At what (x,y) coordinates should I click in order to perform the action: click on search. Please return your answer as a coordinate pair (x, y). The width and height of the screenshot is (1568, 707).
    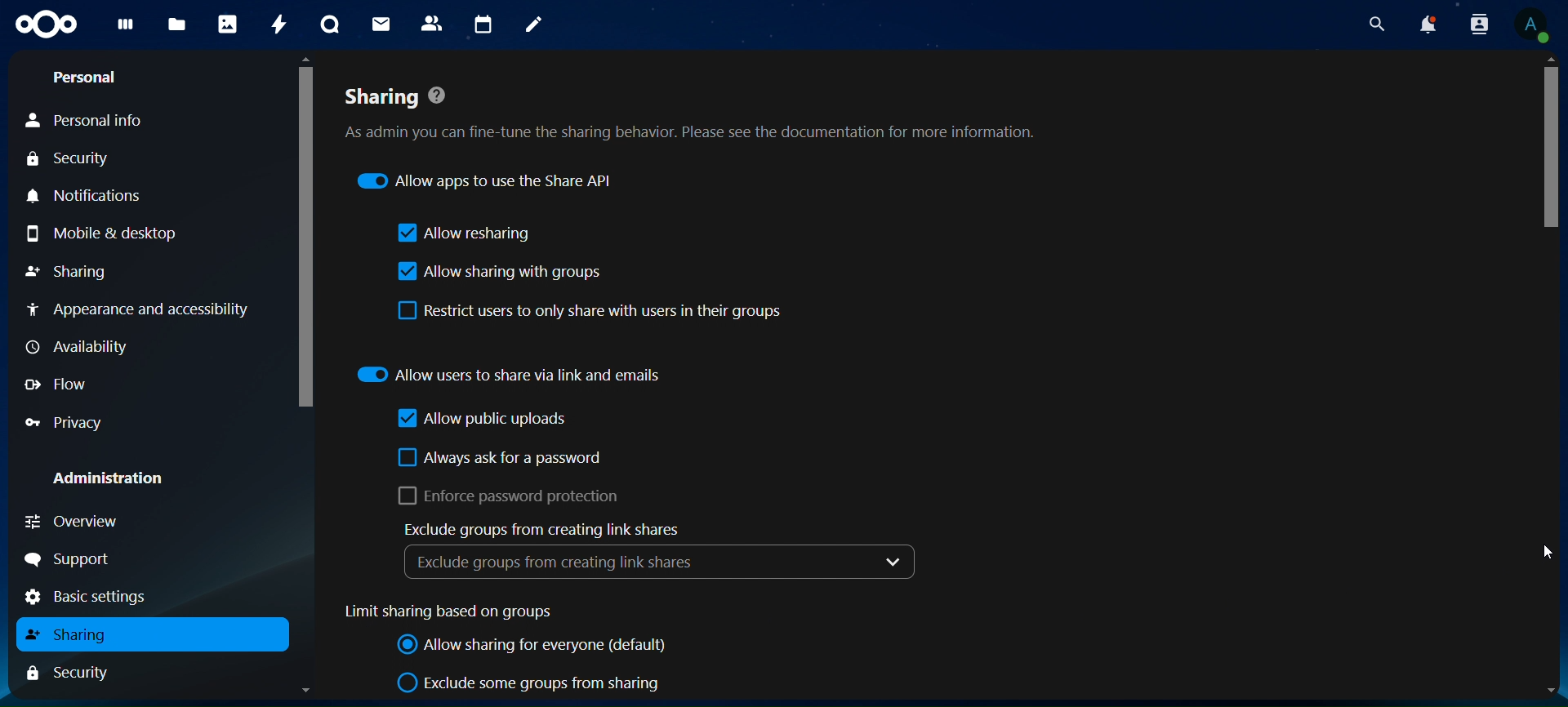
    Looking at the image, I should click on (1374, 24).